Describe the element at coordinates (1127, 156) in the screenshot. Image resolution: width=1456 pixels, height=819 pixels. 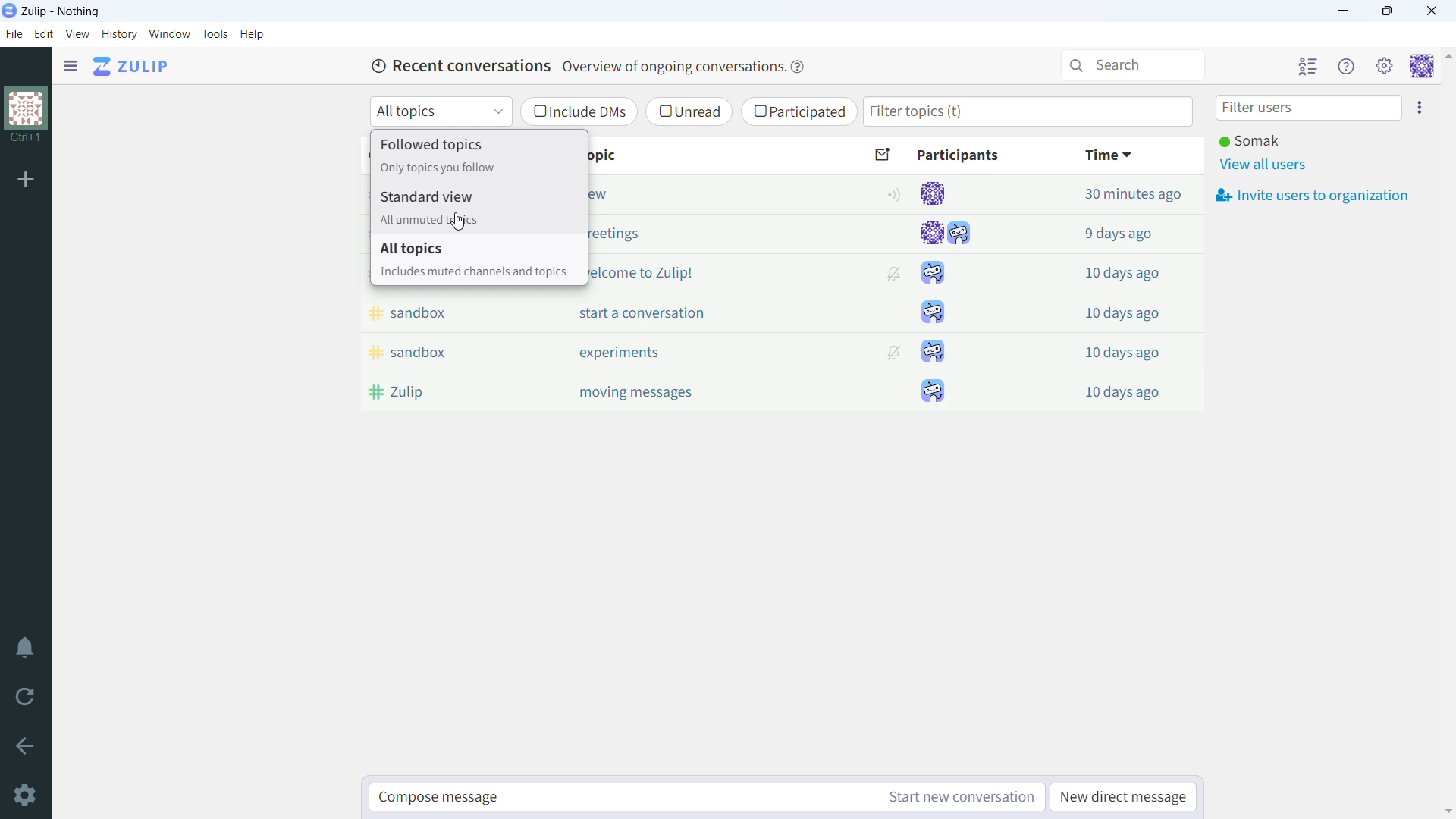
I see `time` at that location.